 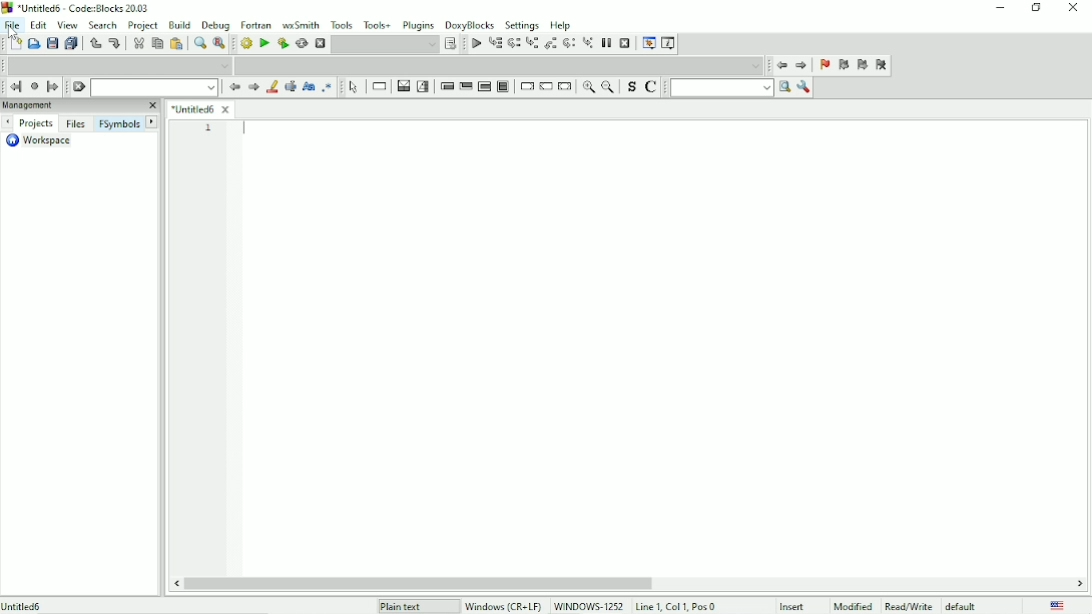 I want to click on Debug, so click(x=216, y=26).